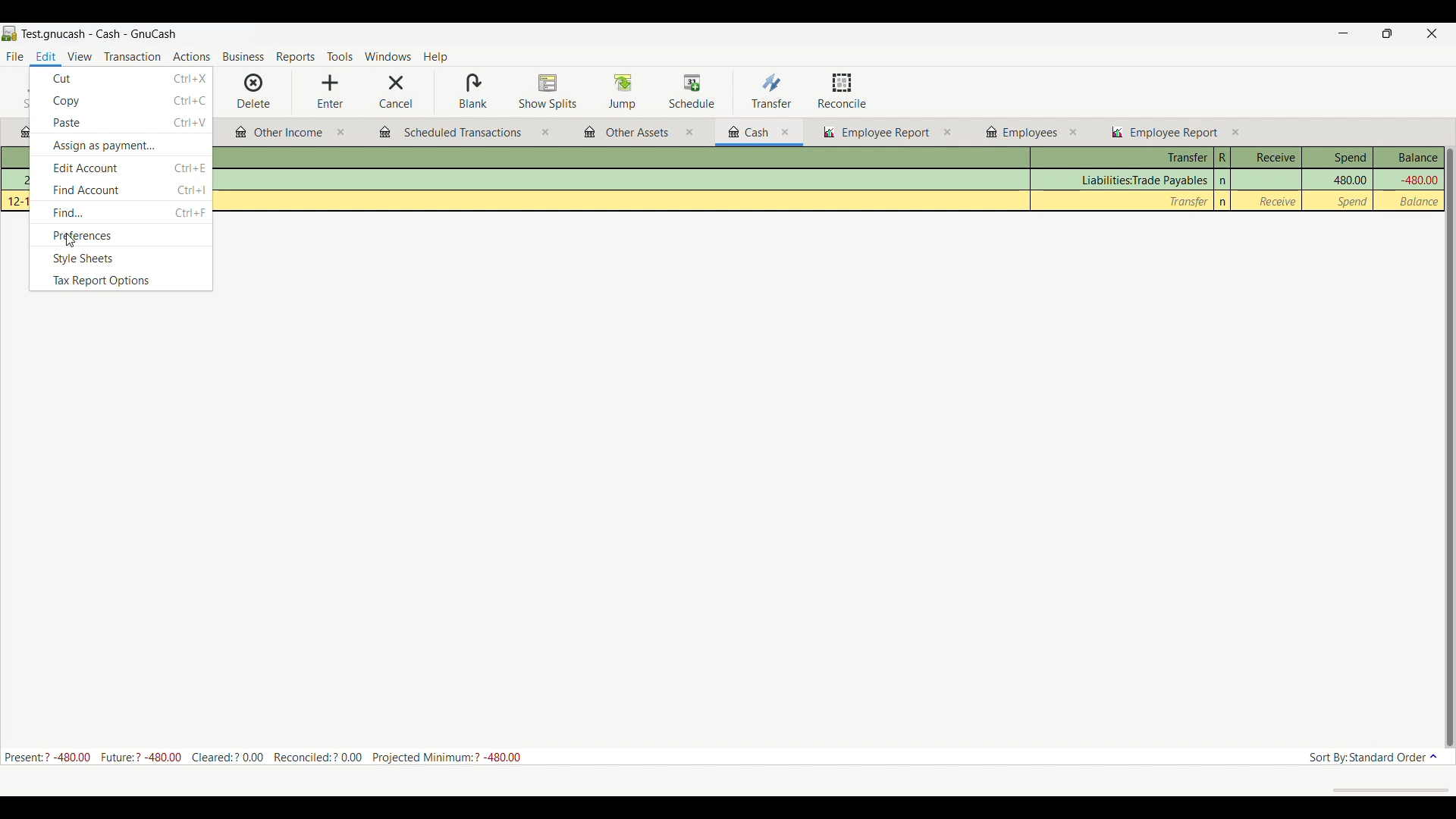 Image resolution: width=1456 pixels, height=819 pixels. Describe the element at coordinates (1406, 158) in the screenshot. I see `Balance column` at that location.